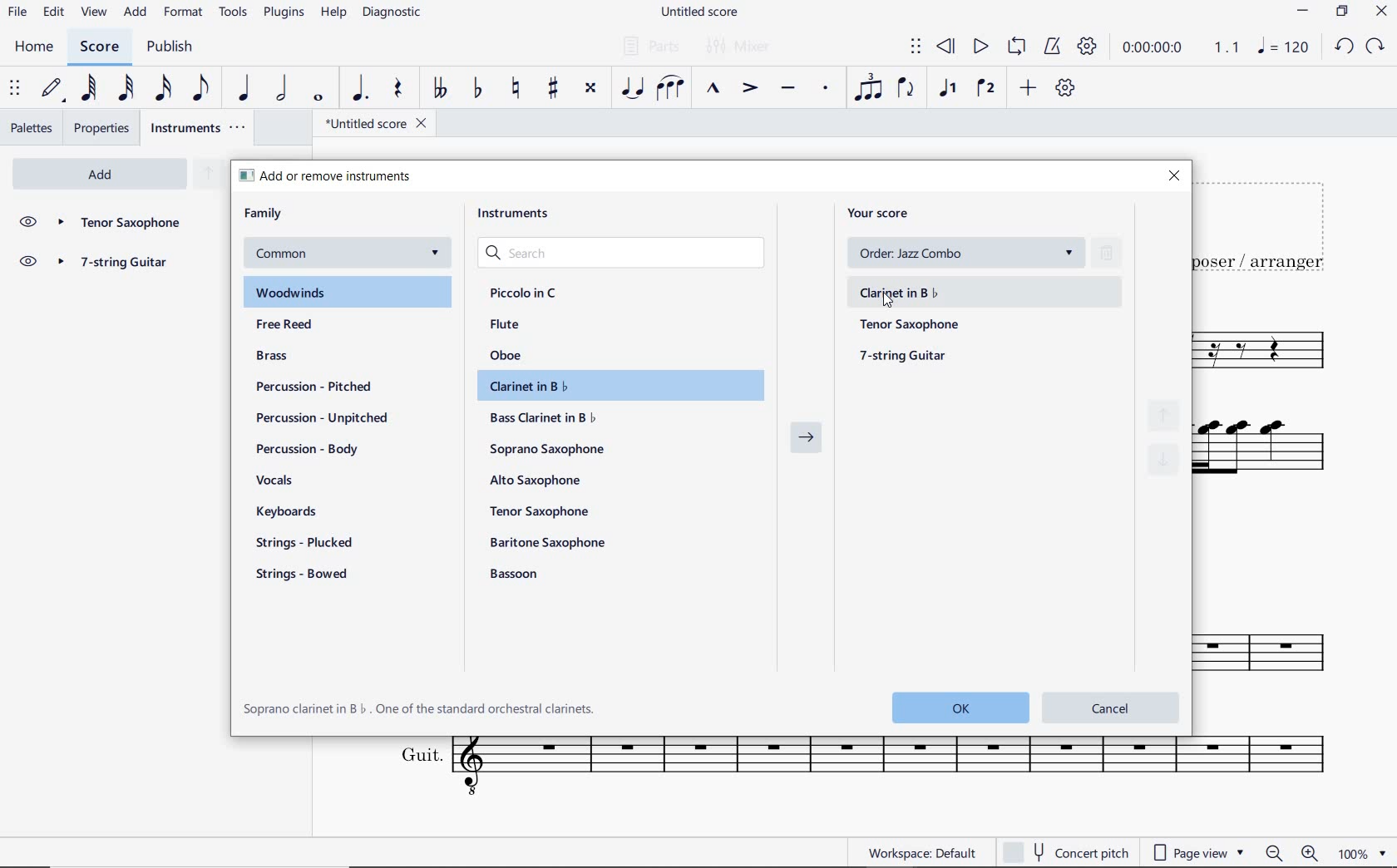 This screenshot has width=1397, height=868. Describe the element at coordinates (293, 513) in the screenshot. I see `keyboards` at that location.